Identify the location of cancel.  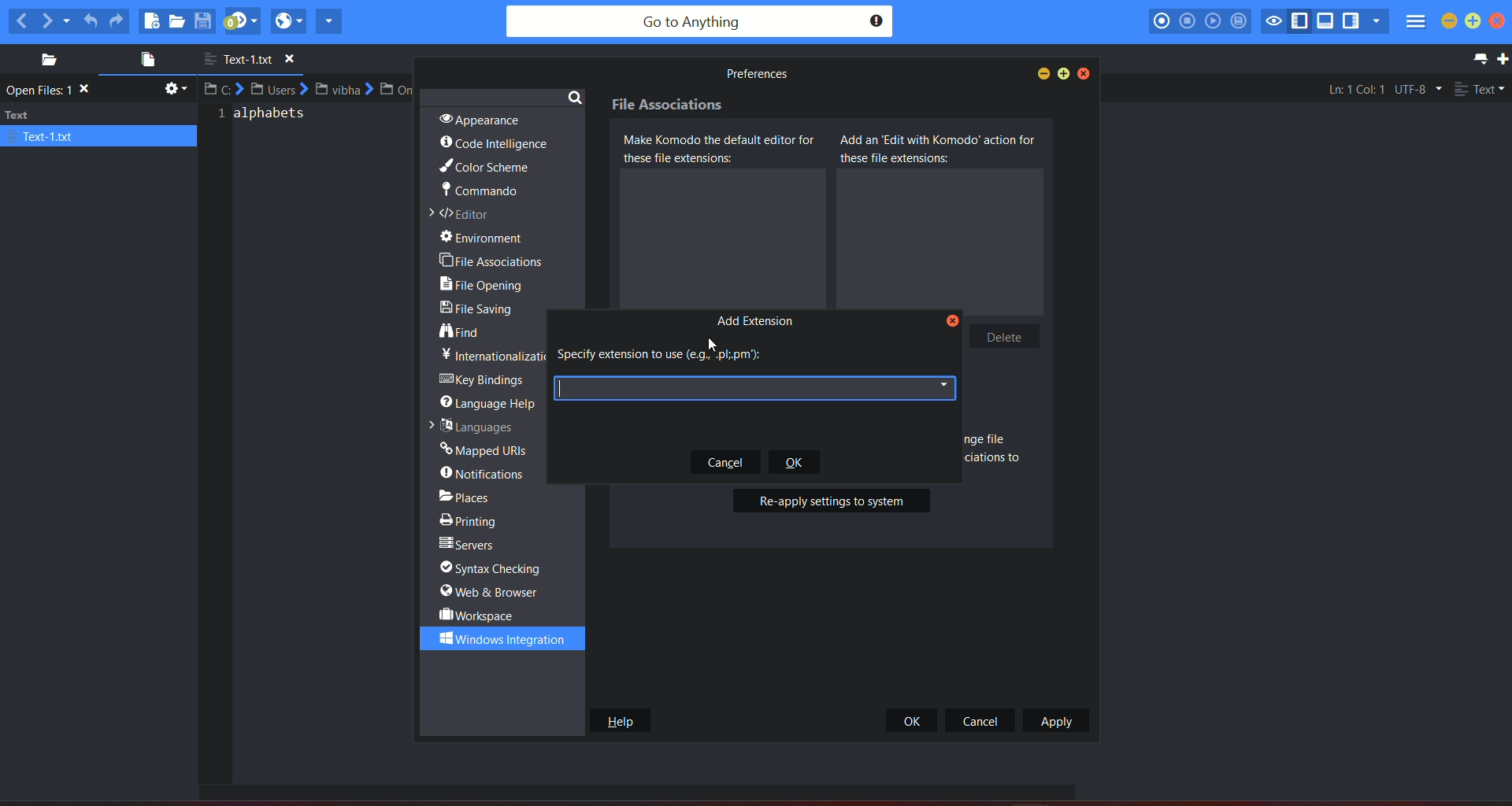
(981, 720).